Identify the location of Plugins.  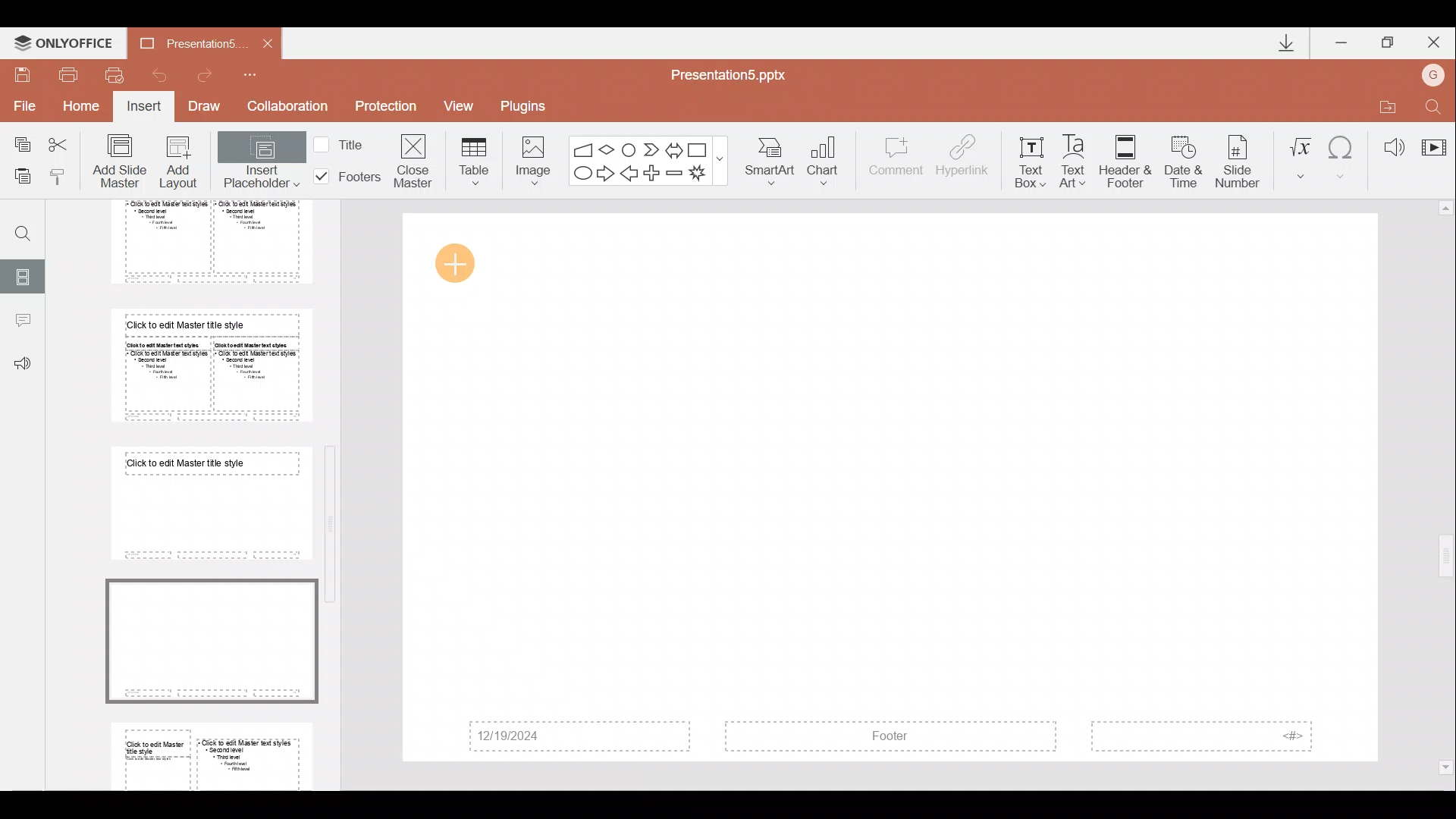
(529, 104).